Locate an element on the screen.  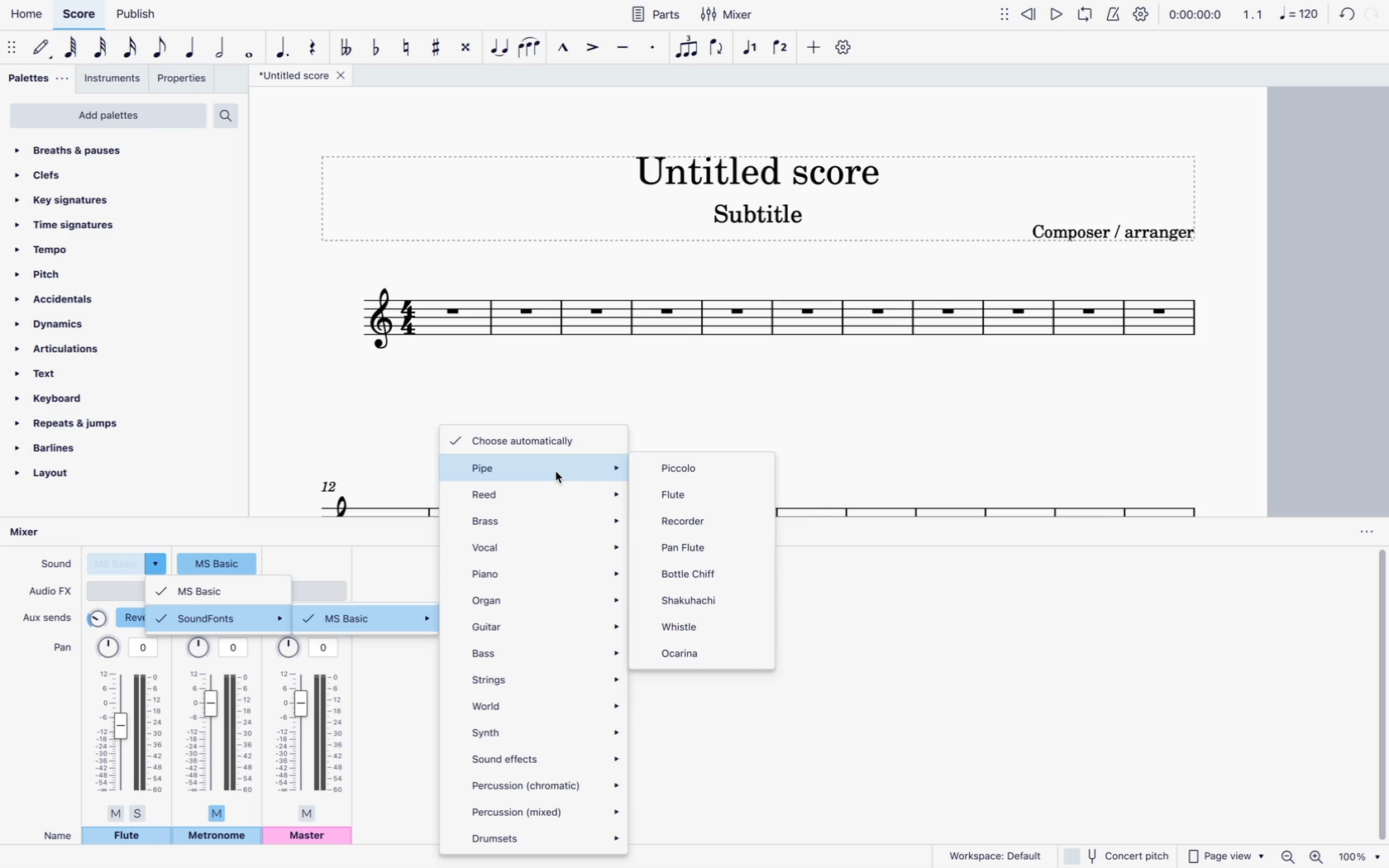
64th note is located at coordinates (73, 48).